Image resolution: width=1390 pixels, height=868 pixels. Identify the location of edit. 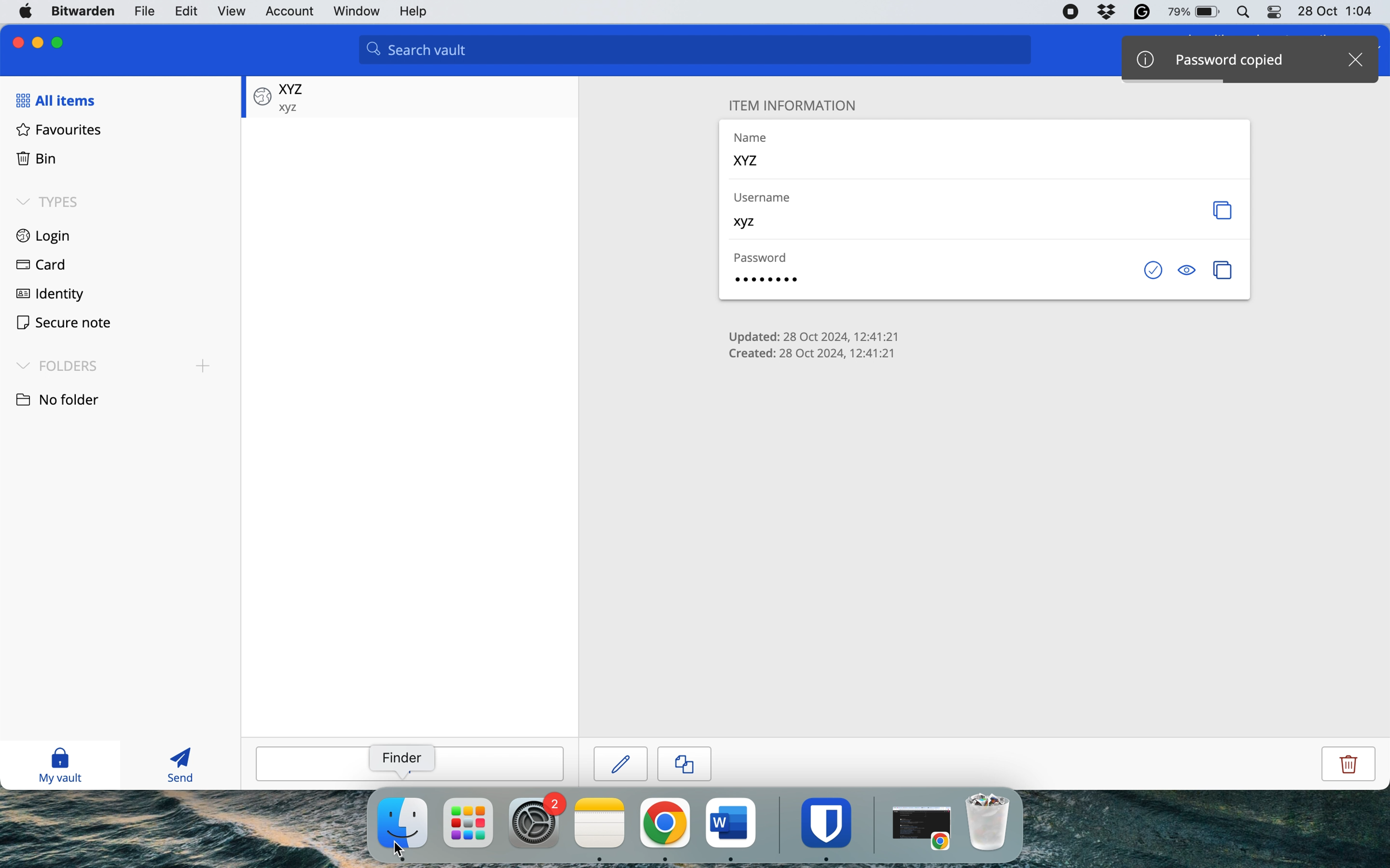
(622, 762).